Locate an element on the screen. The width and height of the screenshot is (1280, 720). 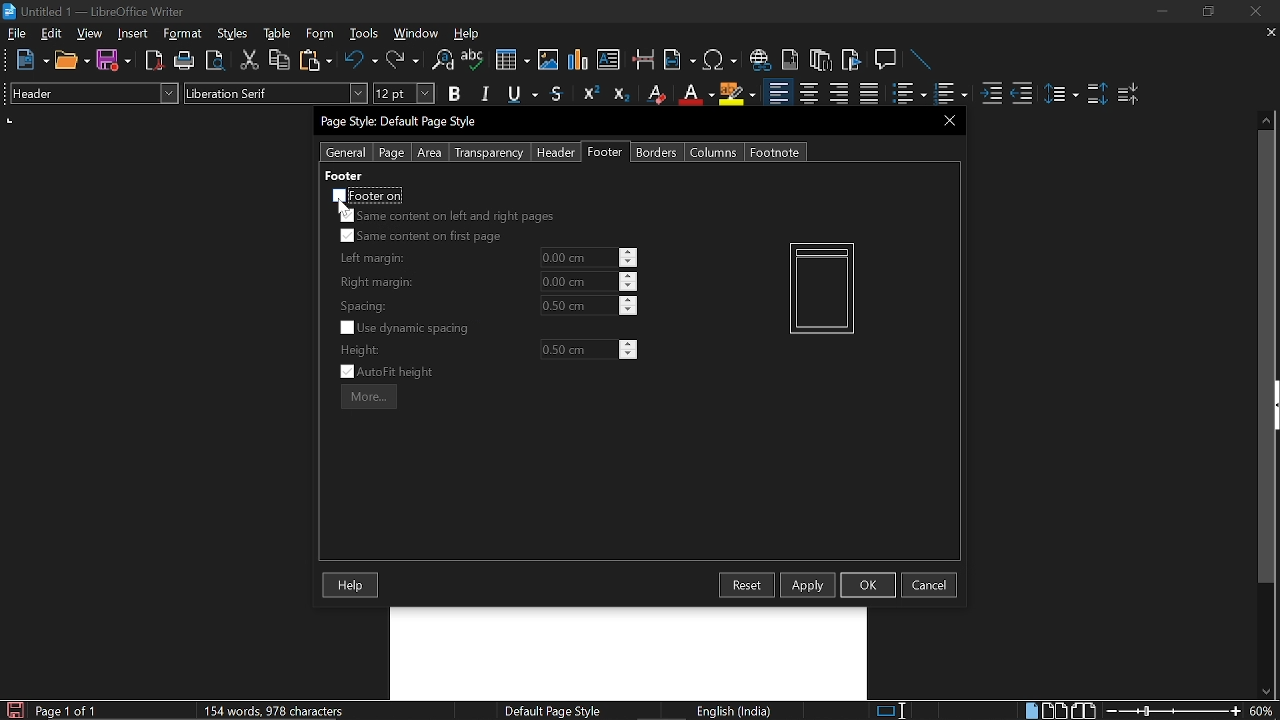
vertical scrollbar is located at coordinates (1263, 358).